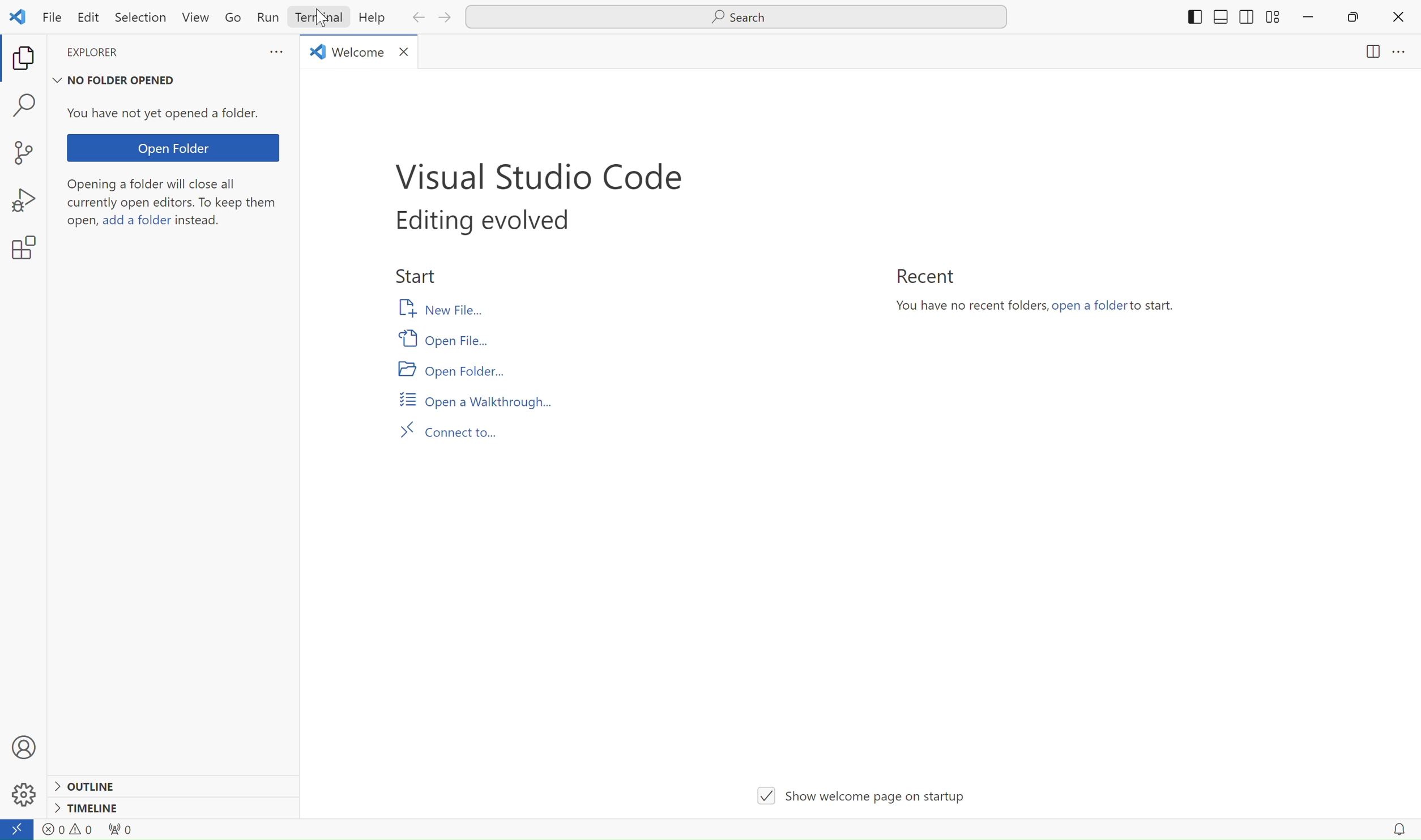 This screenshot has width=1421, height=840. I want to click on new project, so click(31, 153).